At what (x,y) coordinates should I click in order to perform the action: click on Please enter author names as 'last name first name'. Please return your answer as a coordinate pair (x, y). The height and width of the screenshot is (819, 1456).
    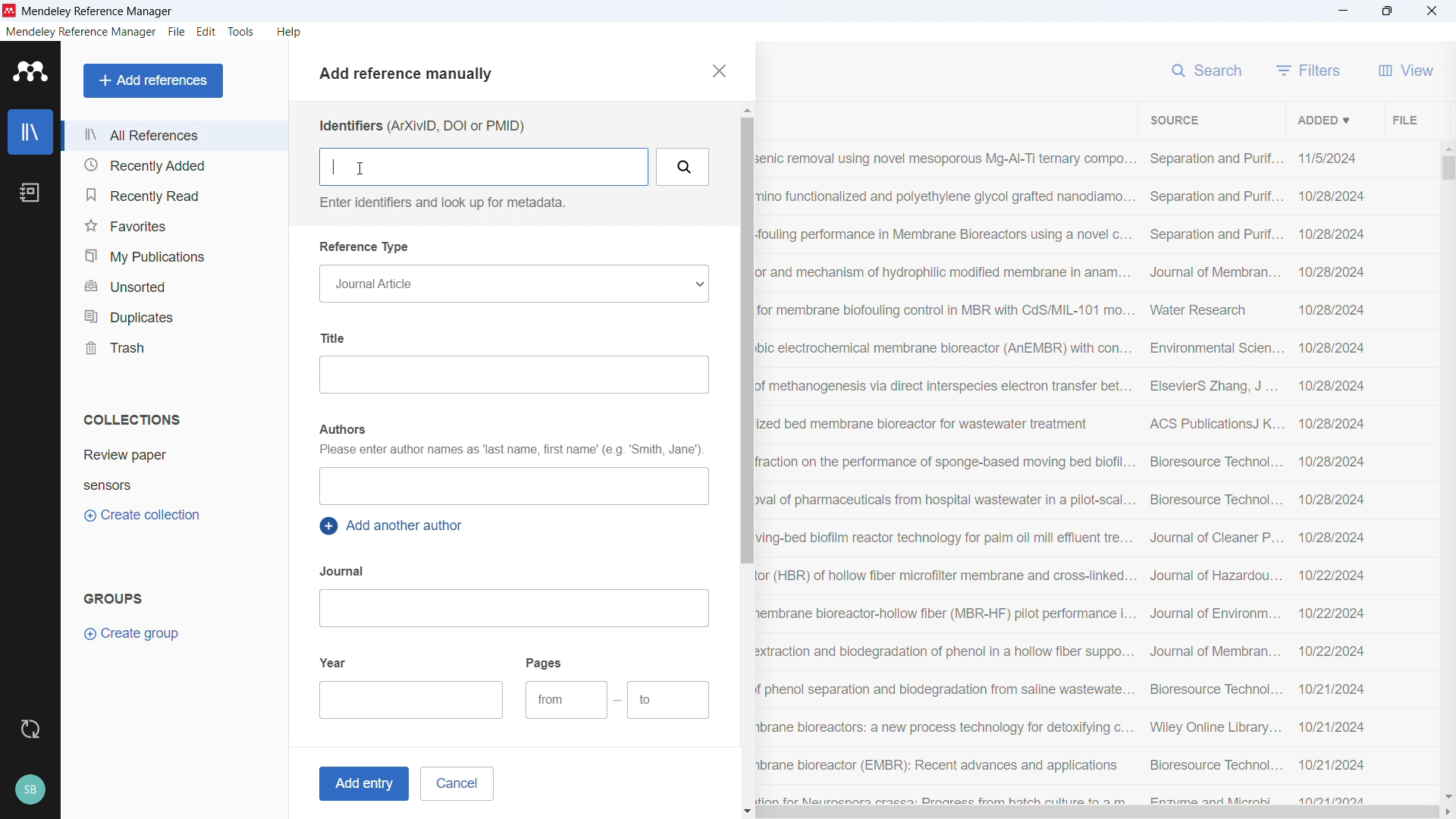
    Looking at the image, I should click on (510, 451).